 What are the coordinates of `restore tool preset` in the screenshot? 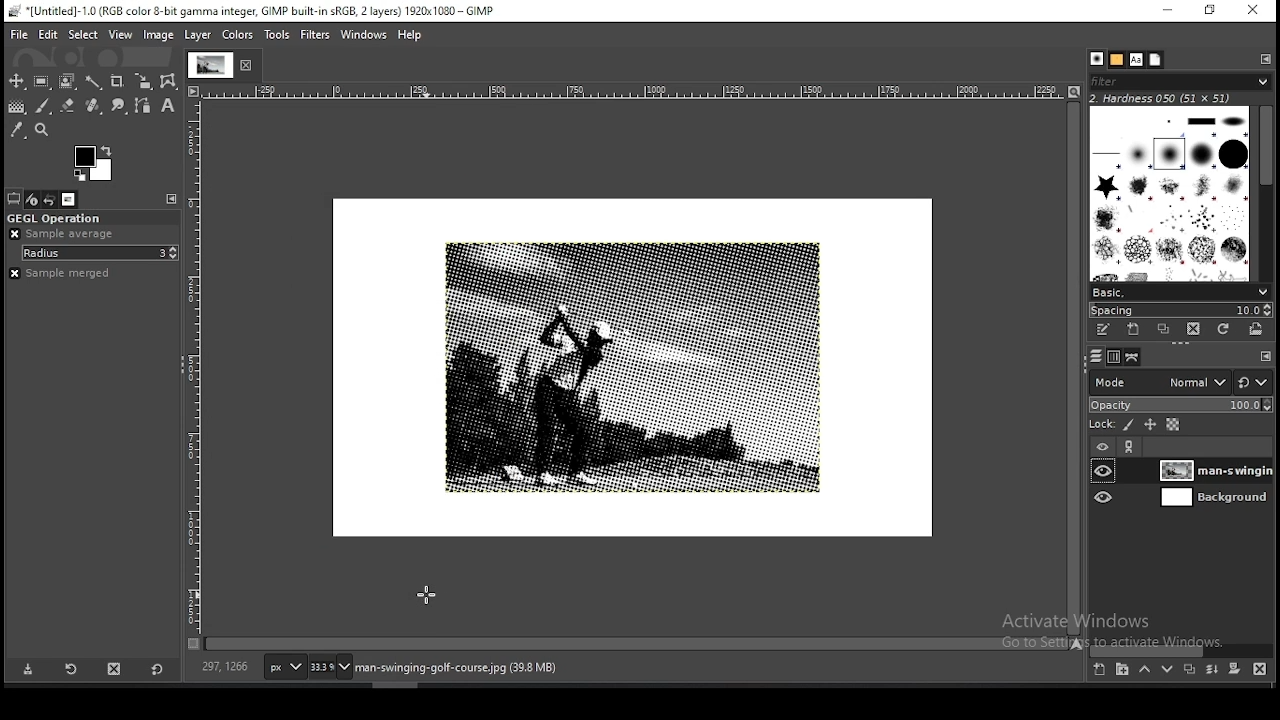 It's located at (69, 669).